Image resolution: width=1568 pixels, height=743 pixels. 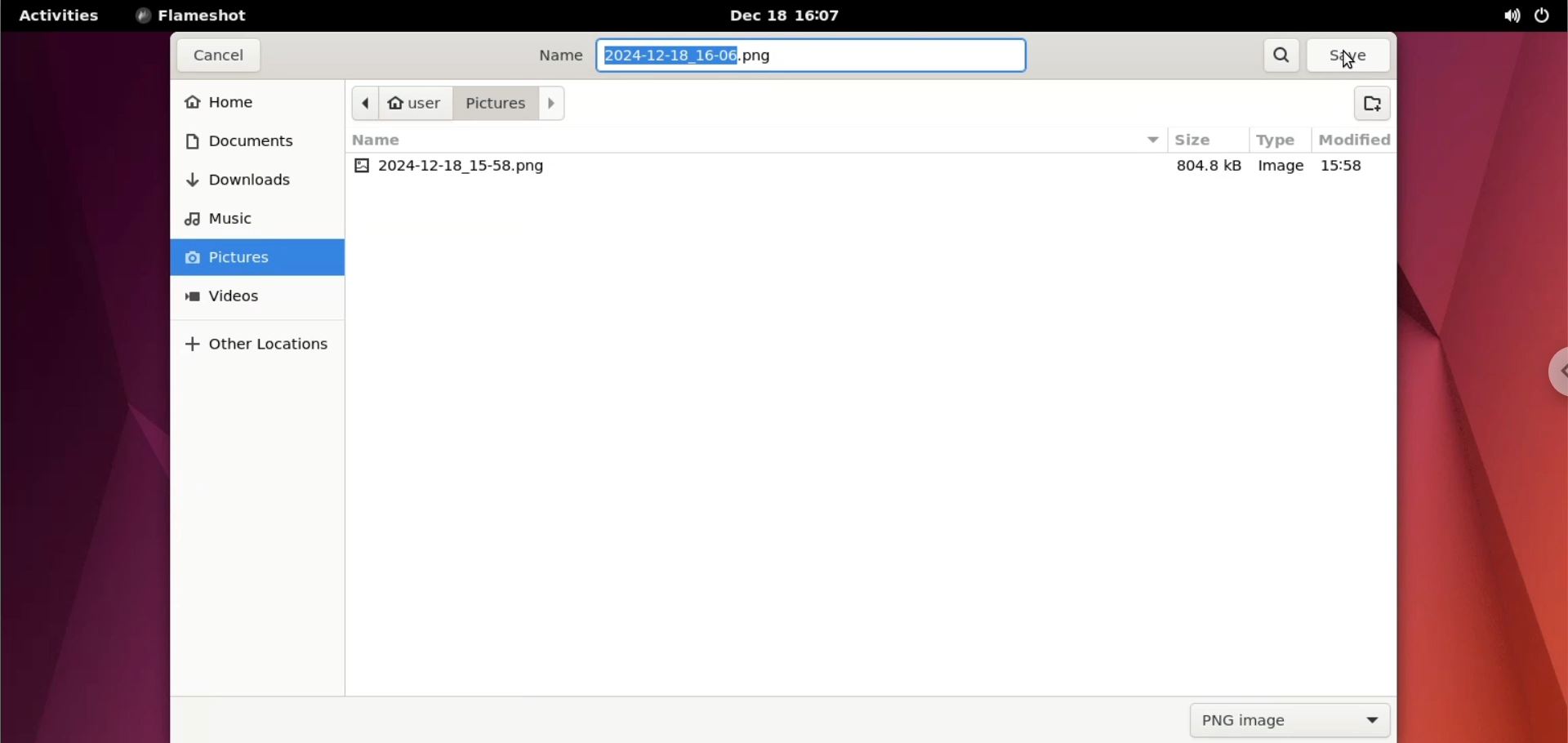 I want to click on file name, so click(x=450, y=167).